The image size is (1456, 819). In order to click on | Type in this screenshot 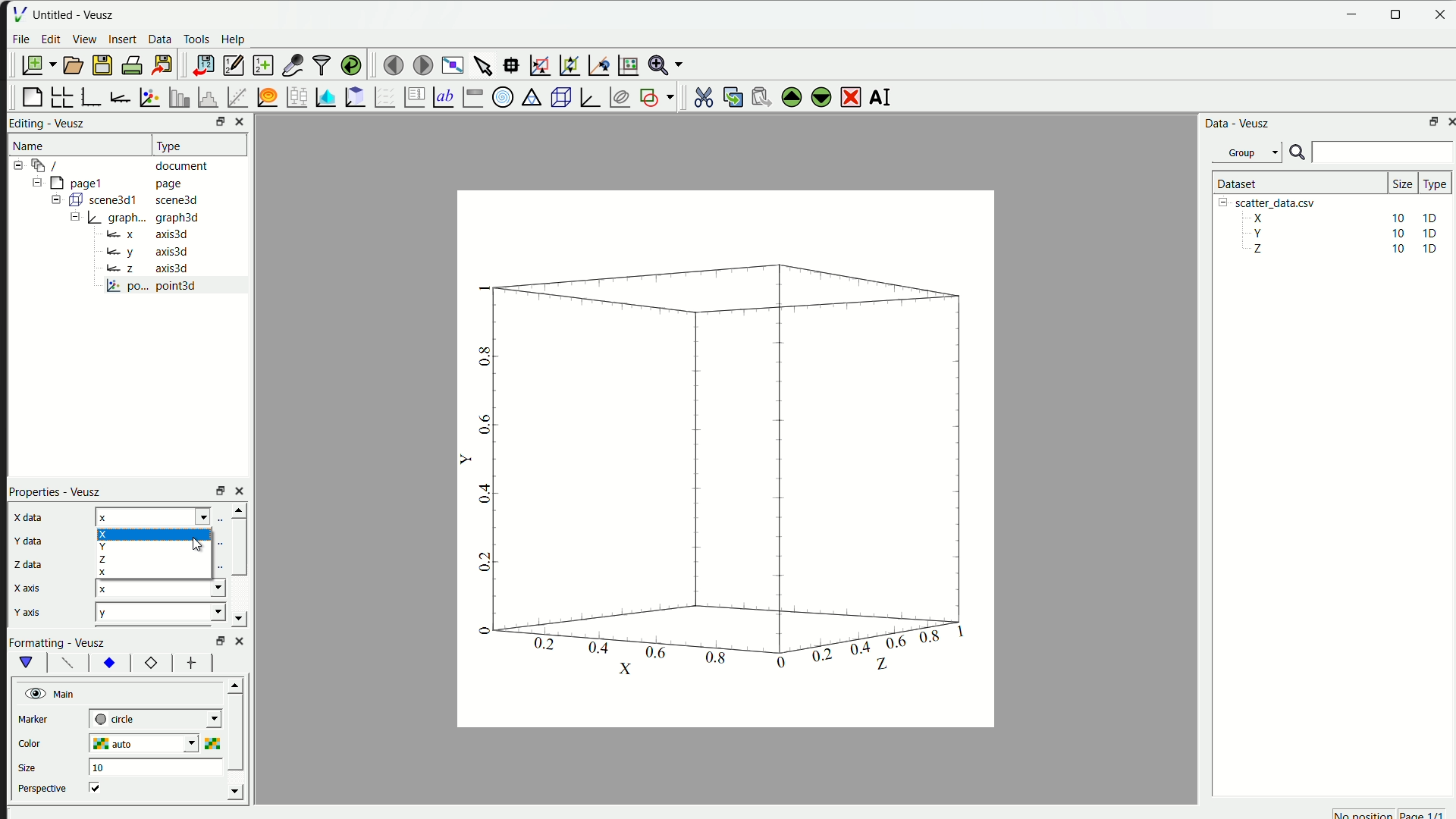, I will do `click(1432, 184)`.